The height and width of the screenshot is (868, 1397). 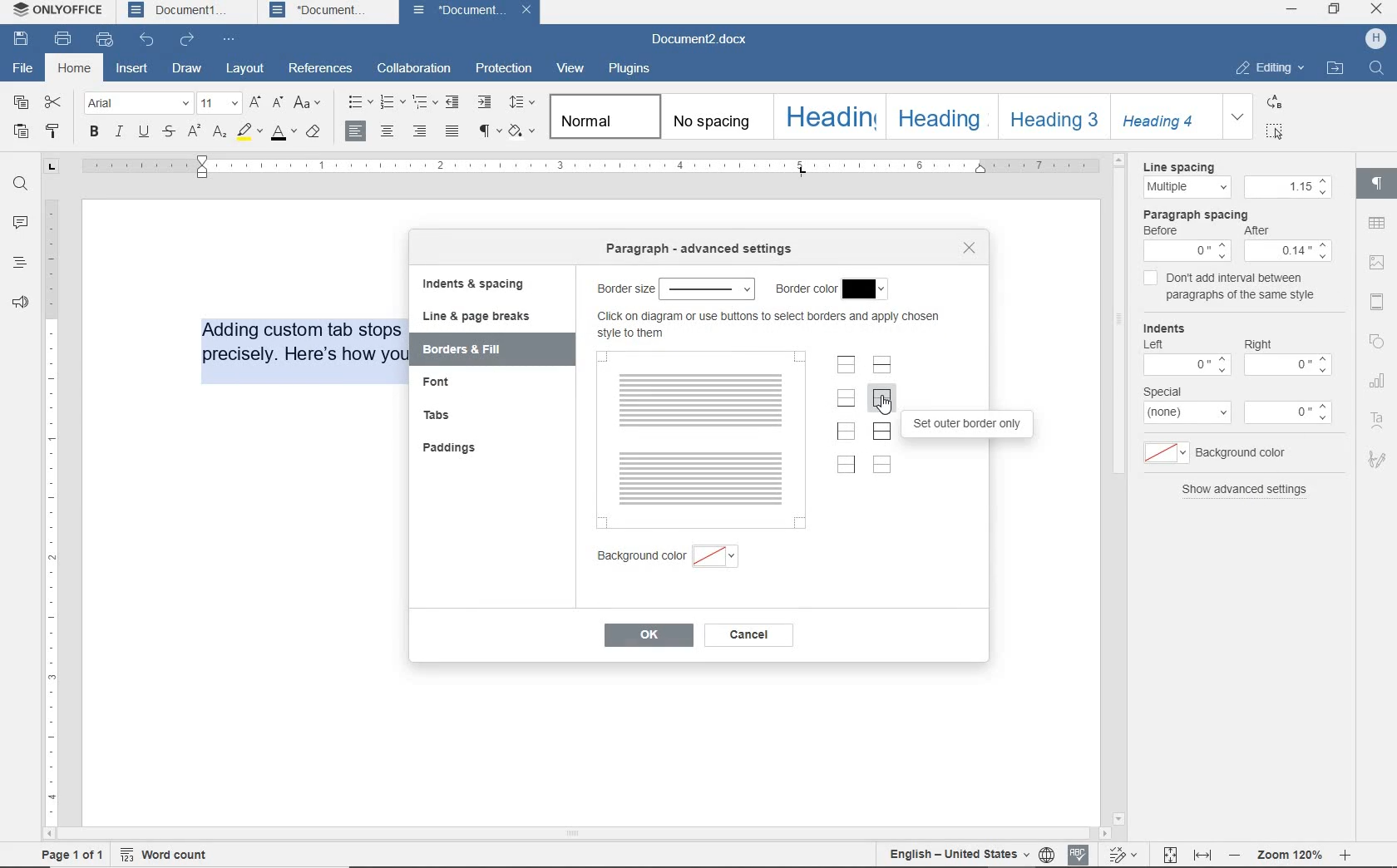 I want to click on fit to width, so click(x=1200, y=852).